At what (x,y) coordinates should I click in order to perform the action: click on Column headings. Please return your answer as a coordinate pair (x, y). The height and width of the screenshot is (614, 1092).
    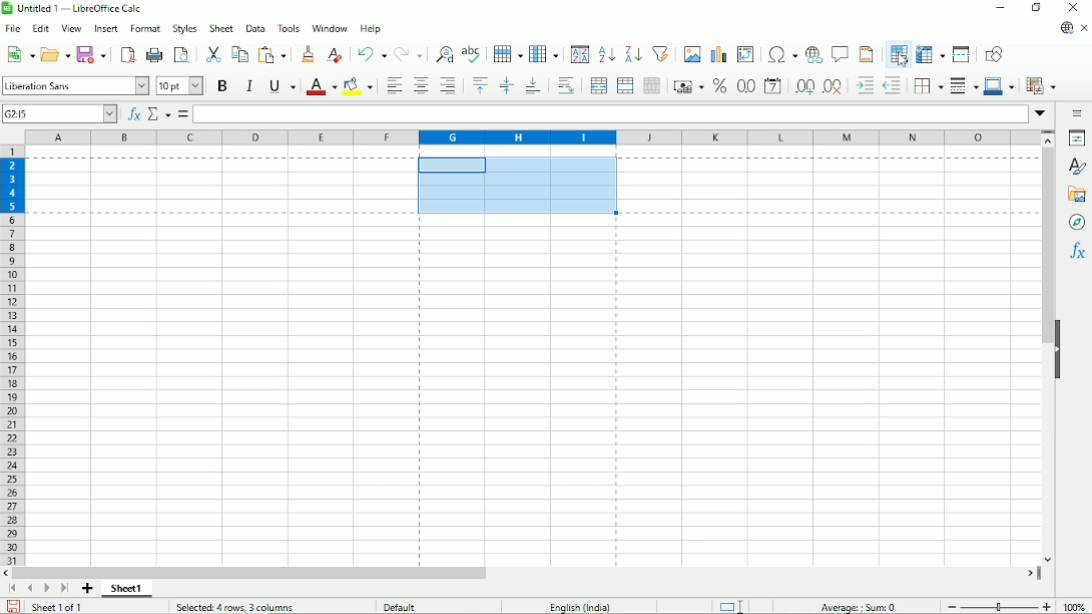
    Looking at the image, I should click on (532, 137).